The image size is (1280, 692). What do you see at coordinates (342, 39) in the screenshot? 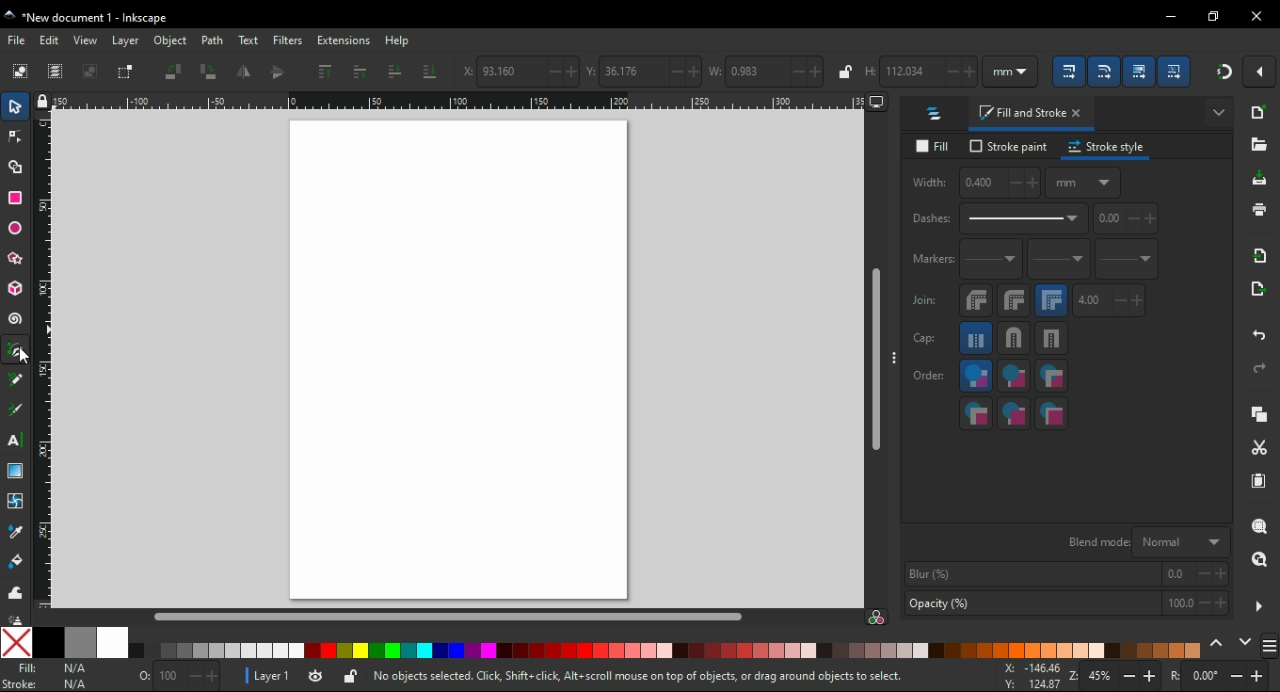
I see `extension` at bounding box center [342, 39].